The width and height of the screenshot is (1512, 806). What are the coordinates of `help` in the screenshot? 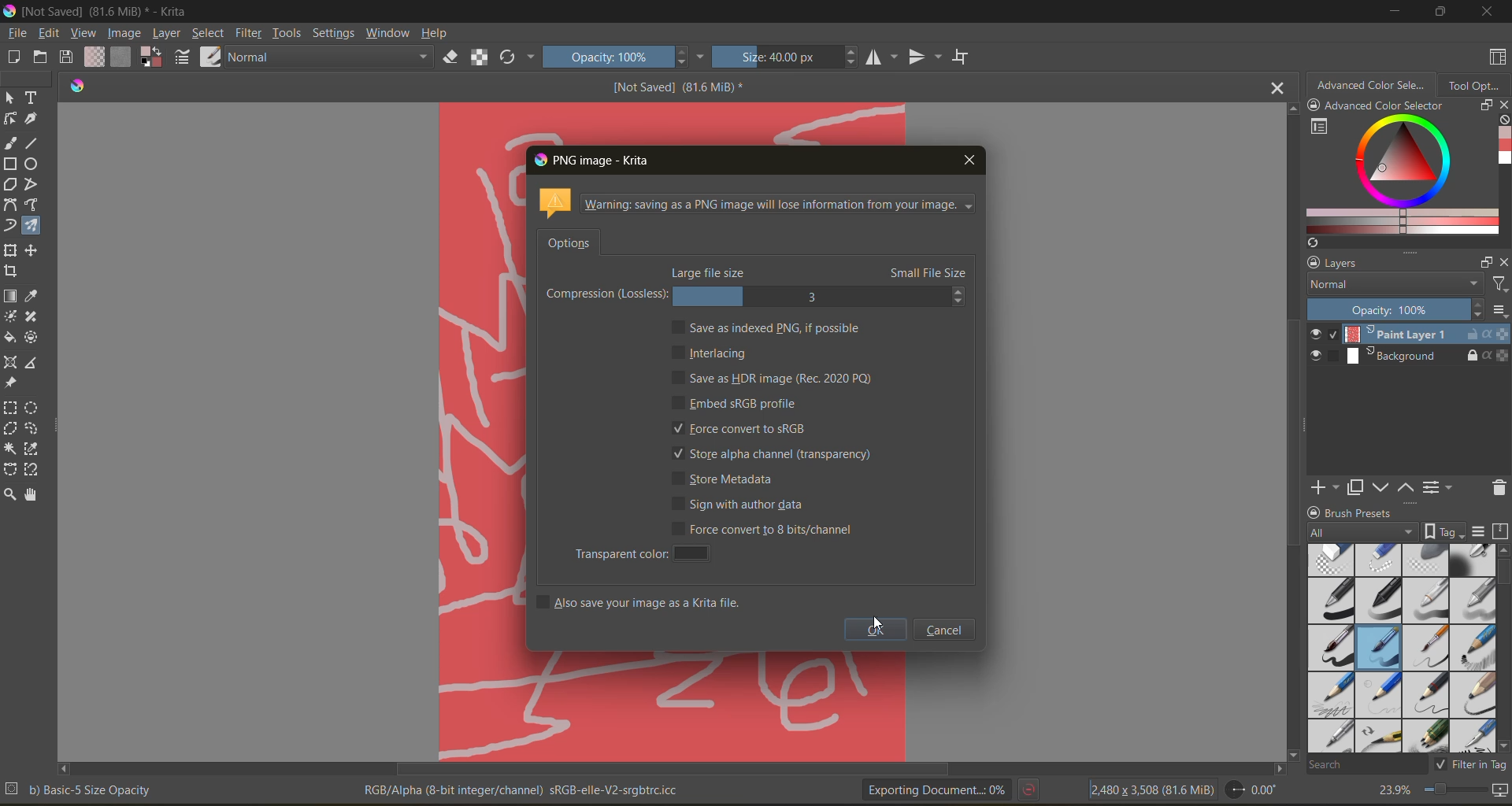 It's located at (435, 35).